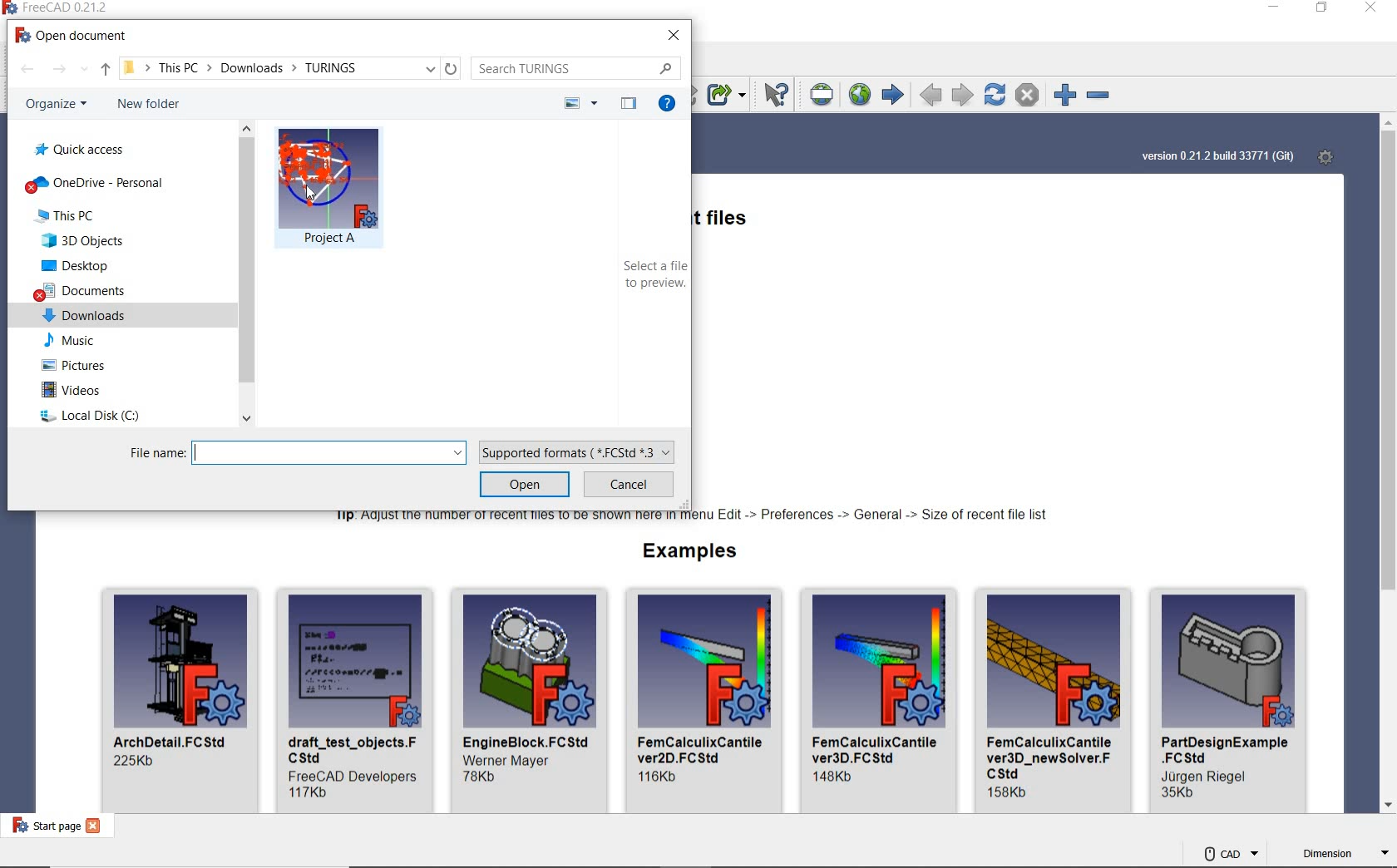  Describe the element at coordinates (57, 105) in the screenshot. I see `ORGANIZE` at that location.